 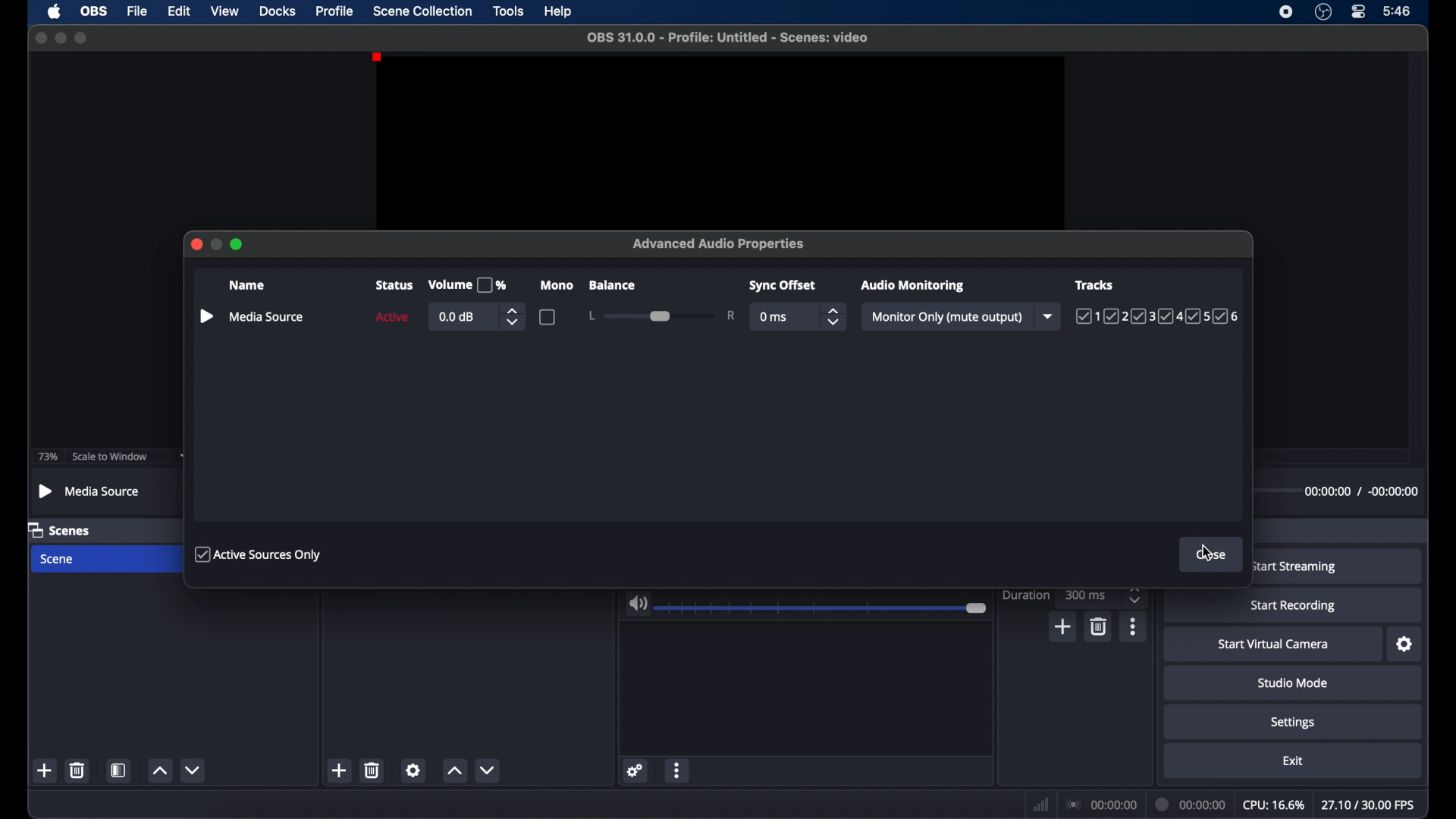 I want to click on more options, so click(x=677, y=770).